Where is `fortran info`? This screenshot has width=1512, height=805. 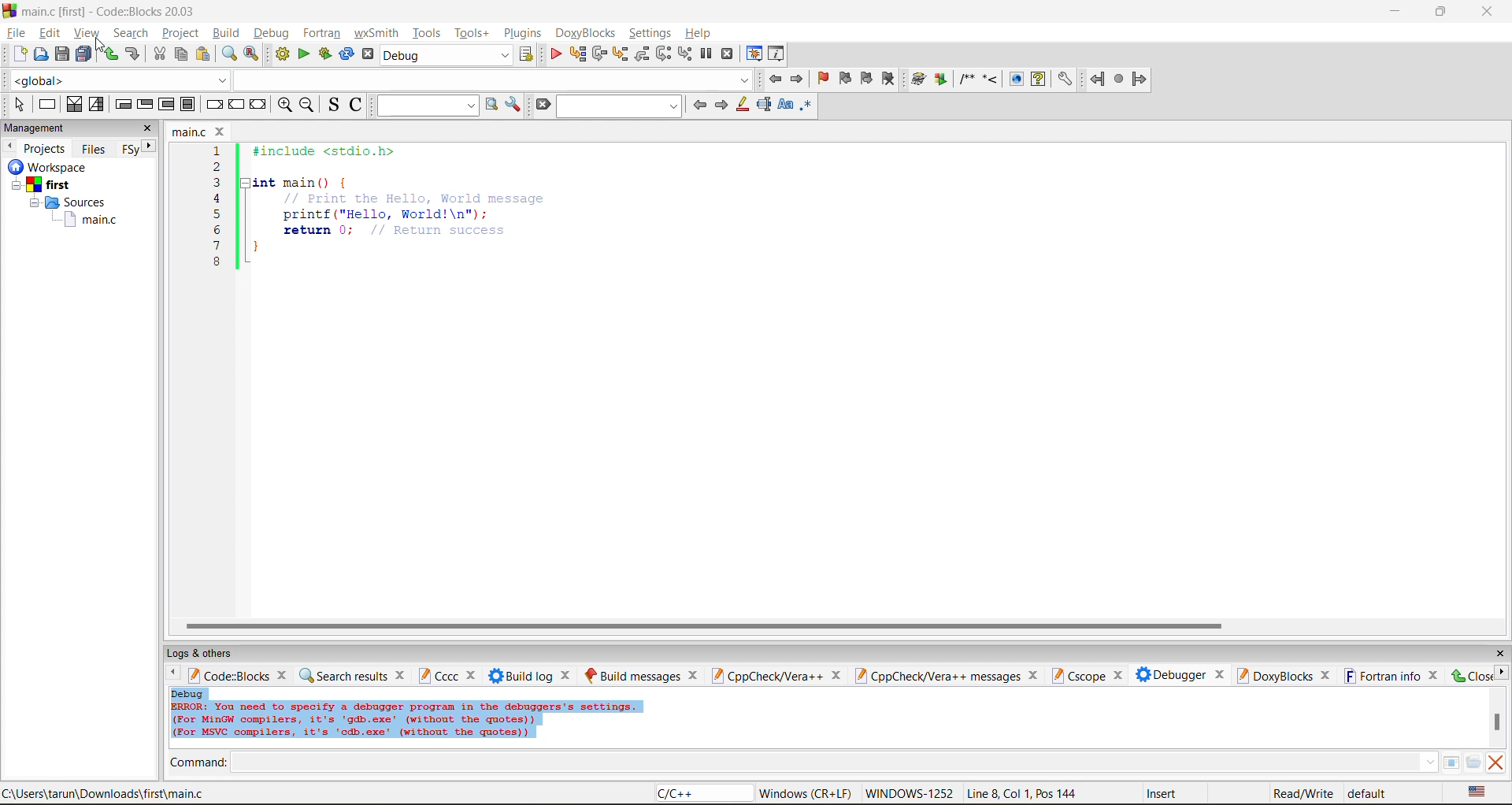
fortran info is located at coordinates (1384, 676).